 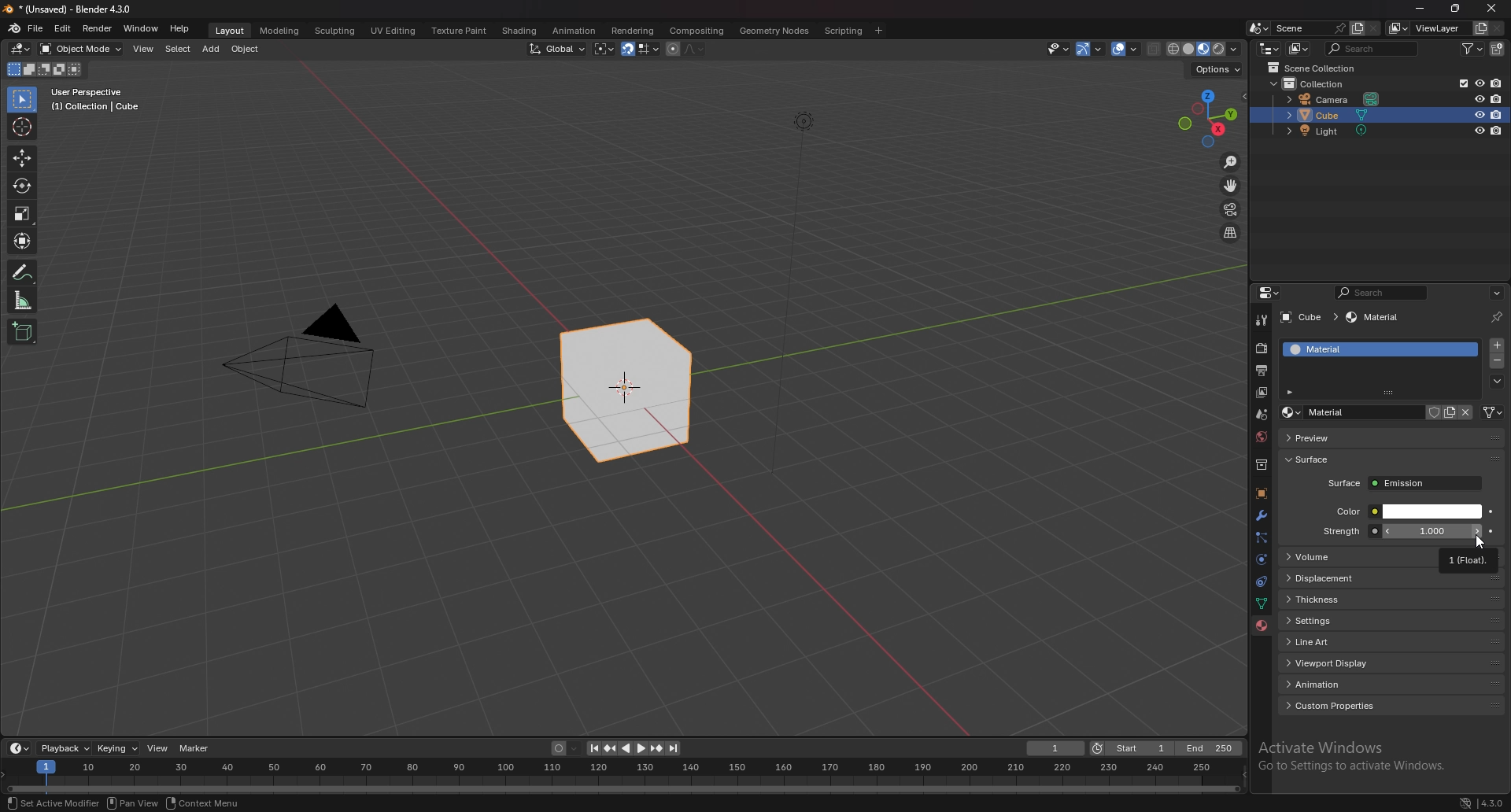 What do you see at coordinates (1202, 49) in the screenshot?
I see `viewport shading` at bounding box center [1202, 49].